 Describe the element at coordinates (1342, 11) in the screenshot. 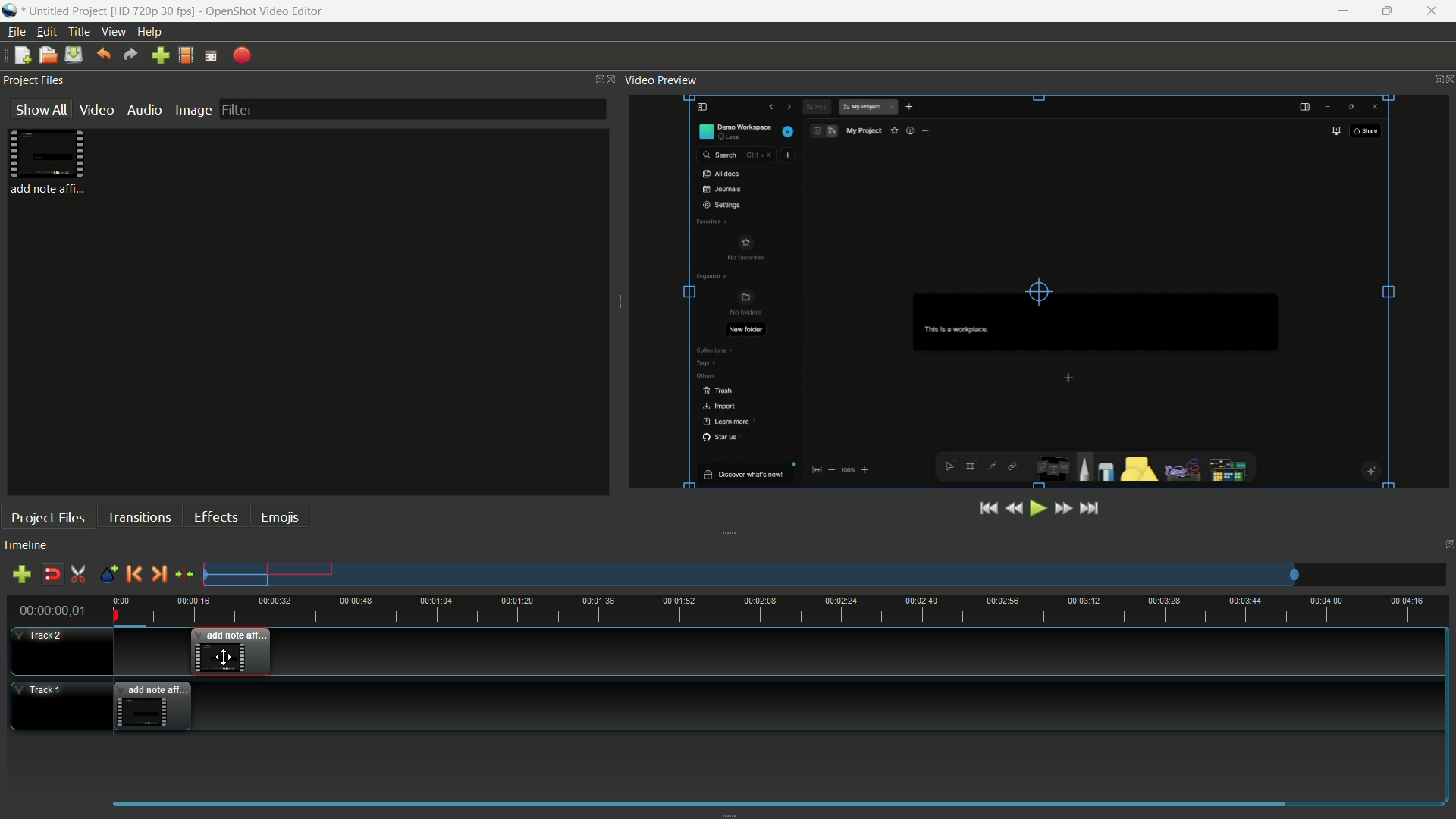

I see `minimize` at that location.